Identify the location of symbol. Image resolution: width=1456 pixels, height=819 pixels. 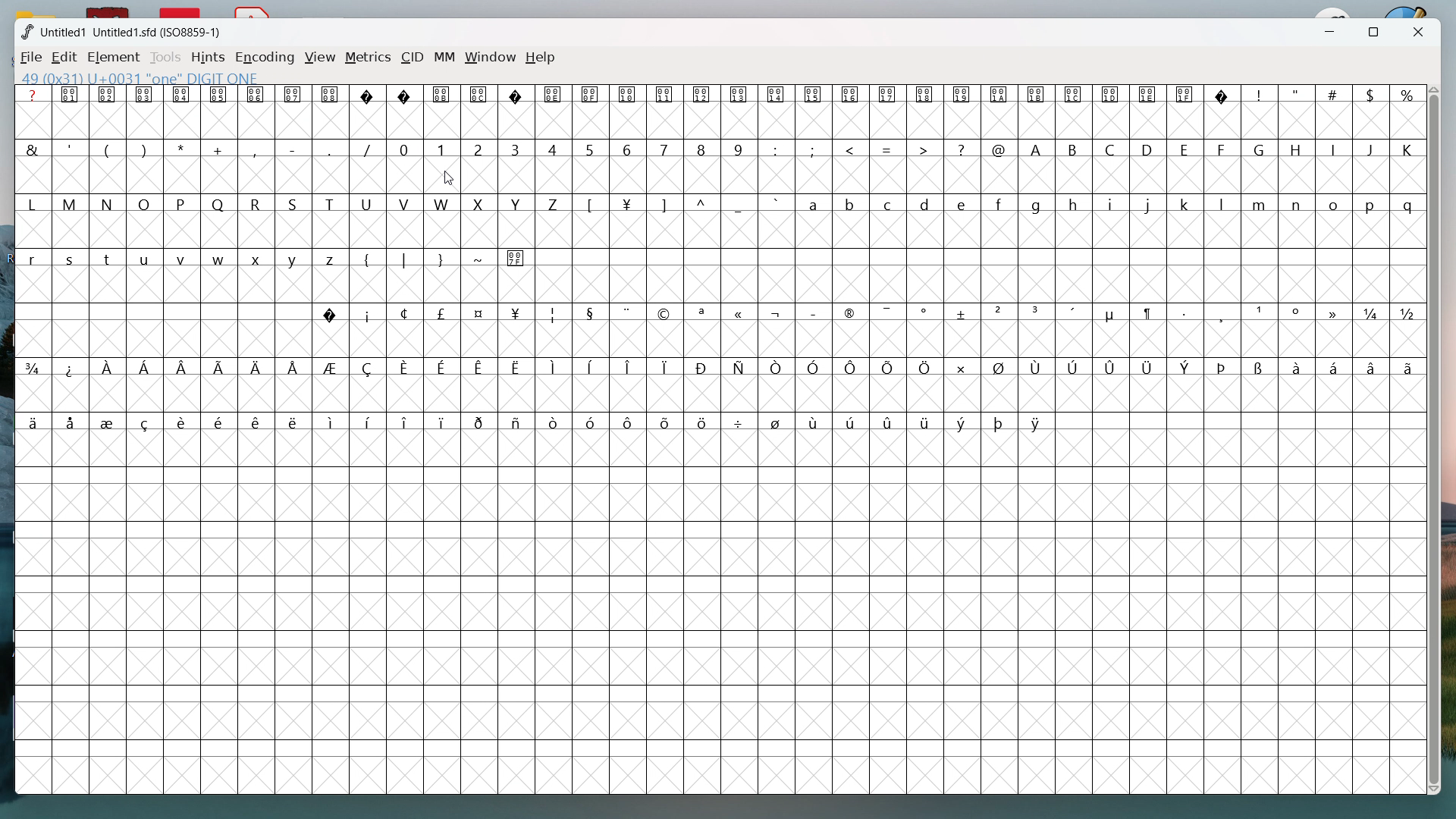
(518, 95).